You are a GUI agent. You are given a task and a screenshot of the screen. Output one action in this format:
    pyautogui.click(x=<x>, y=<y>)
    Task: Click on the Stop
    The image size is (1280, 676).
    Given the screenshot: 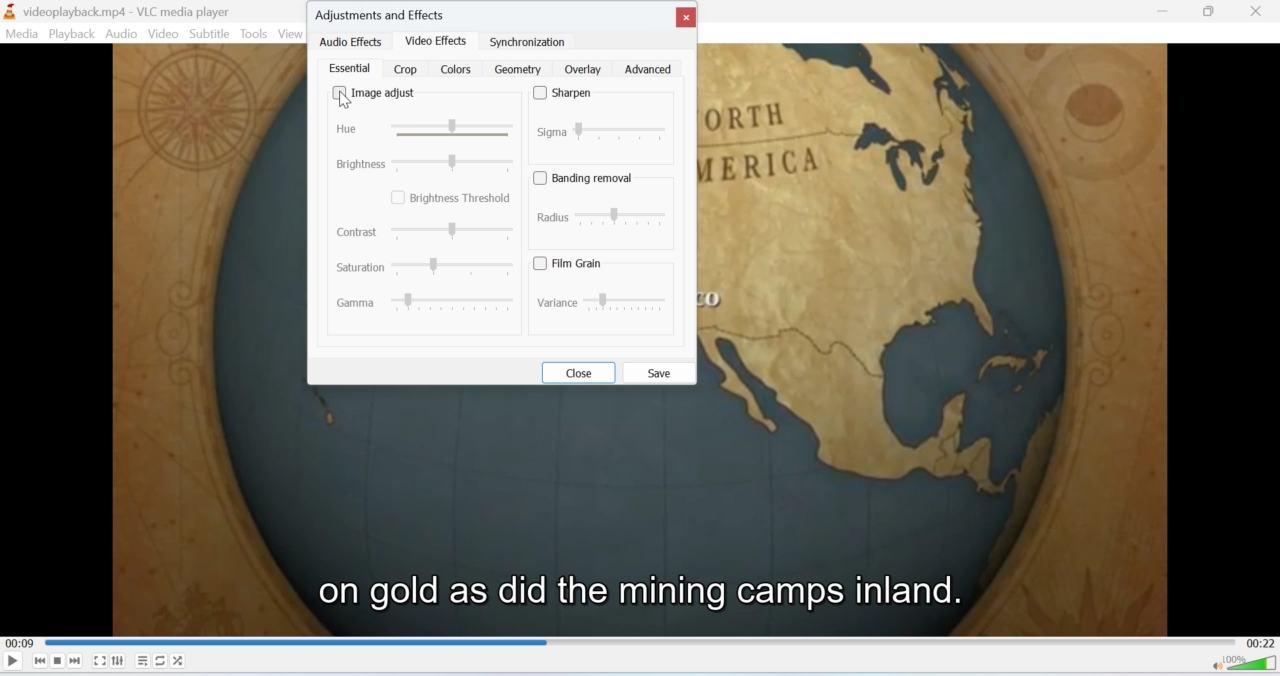 What is the action you would take?
    pyautogui.click(x=58, y=662)
    